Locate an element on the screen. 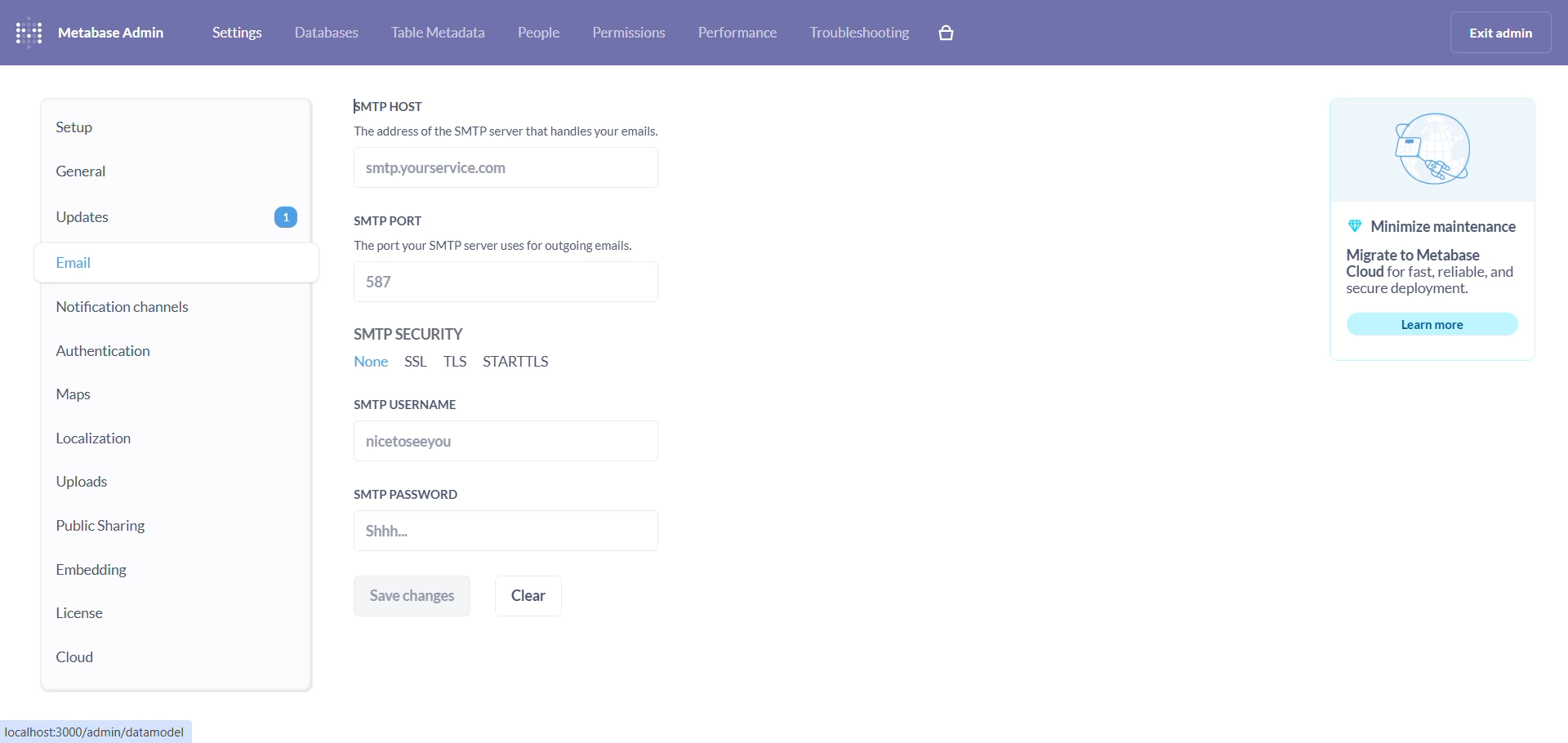 Image resolution: width=1568 pixels, height=743 pixels. exit admin is located at coordinates (1501, 33).